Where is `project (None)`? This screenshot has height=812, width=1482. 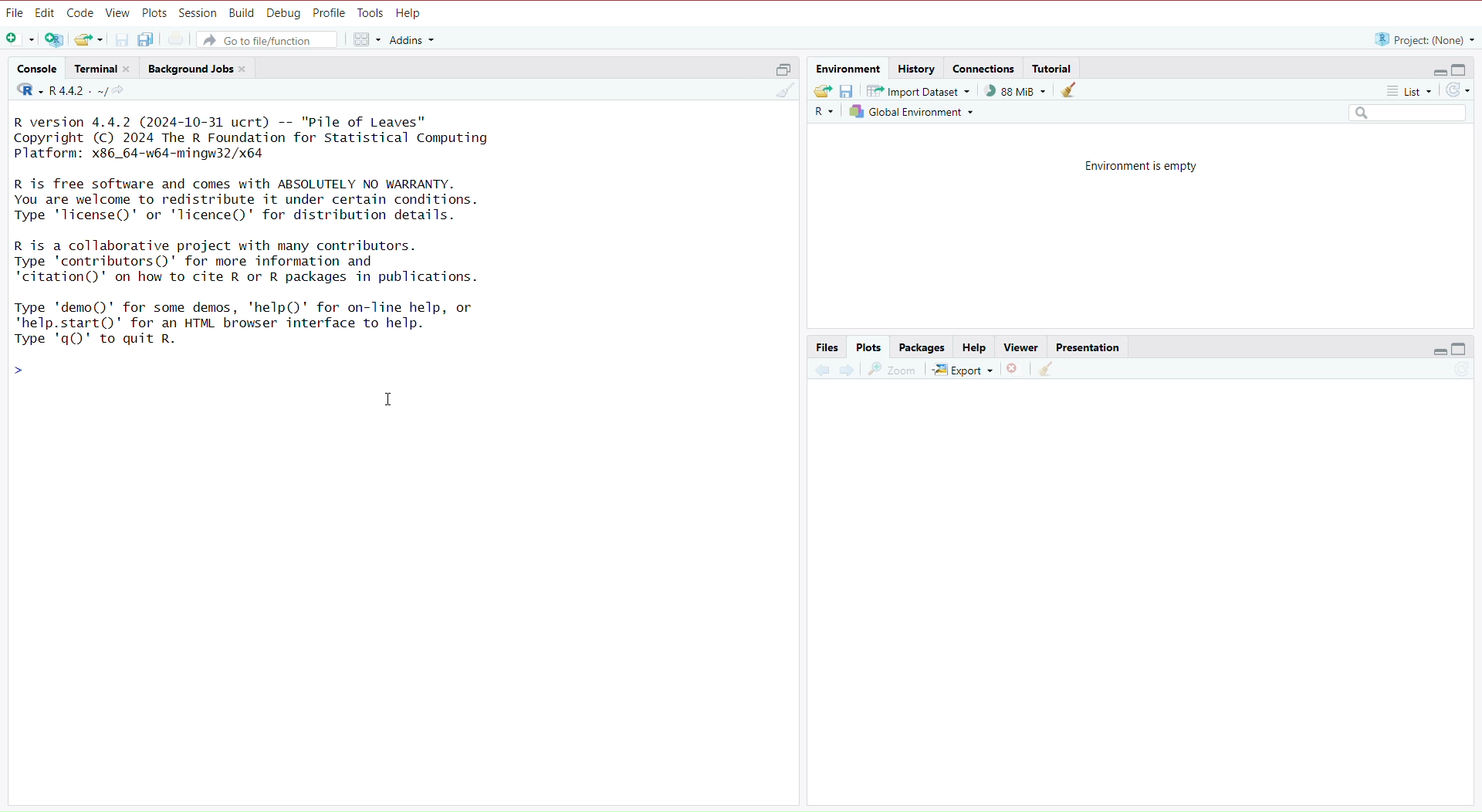
project (None) is located at coordinates (1423, 39).